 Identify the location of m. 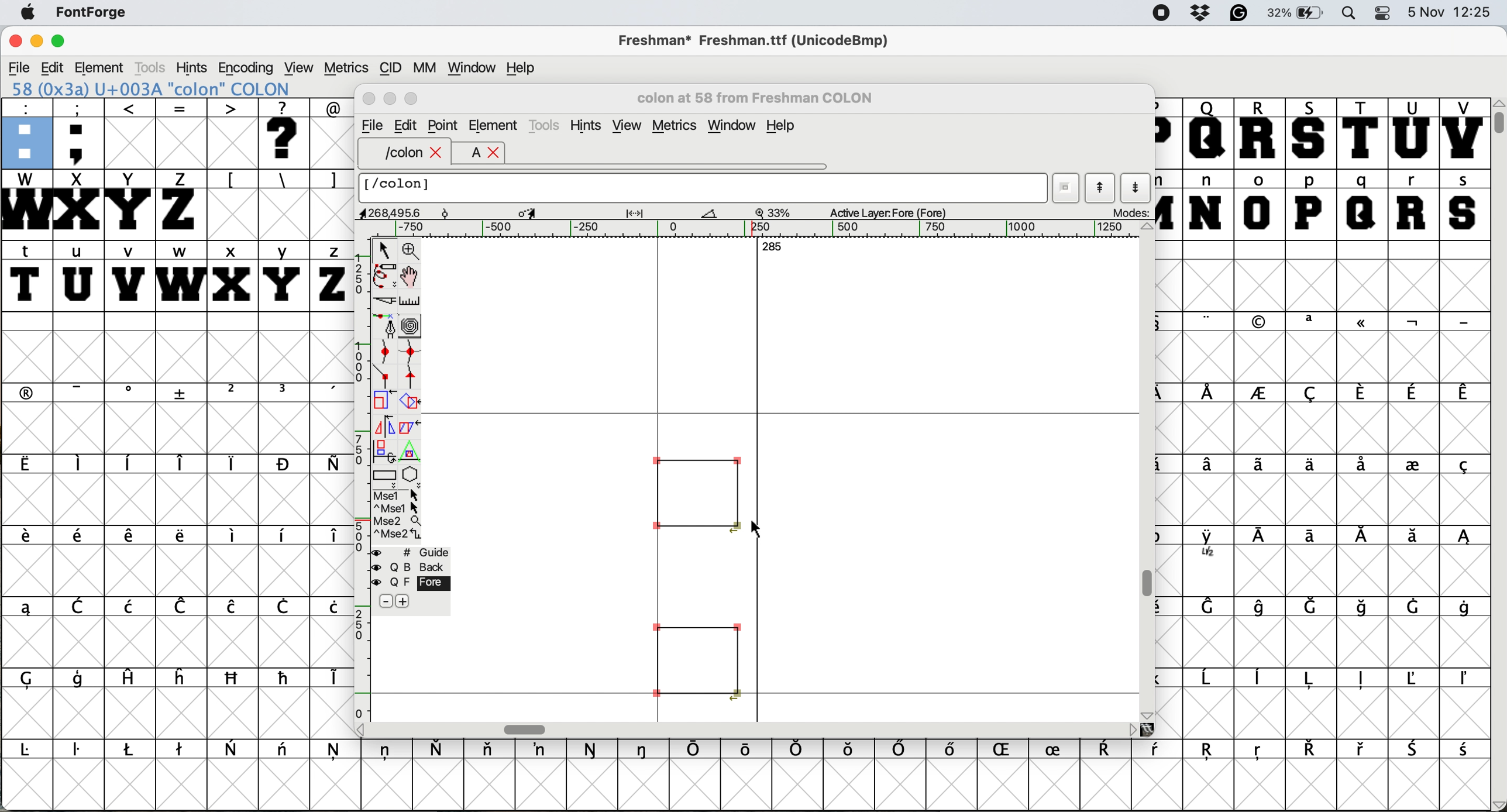
(1169, 204).